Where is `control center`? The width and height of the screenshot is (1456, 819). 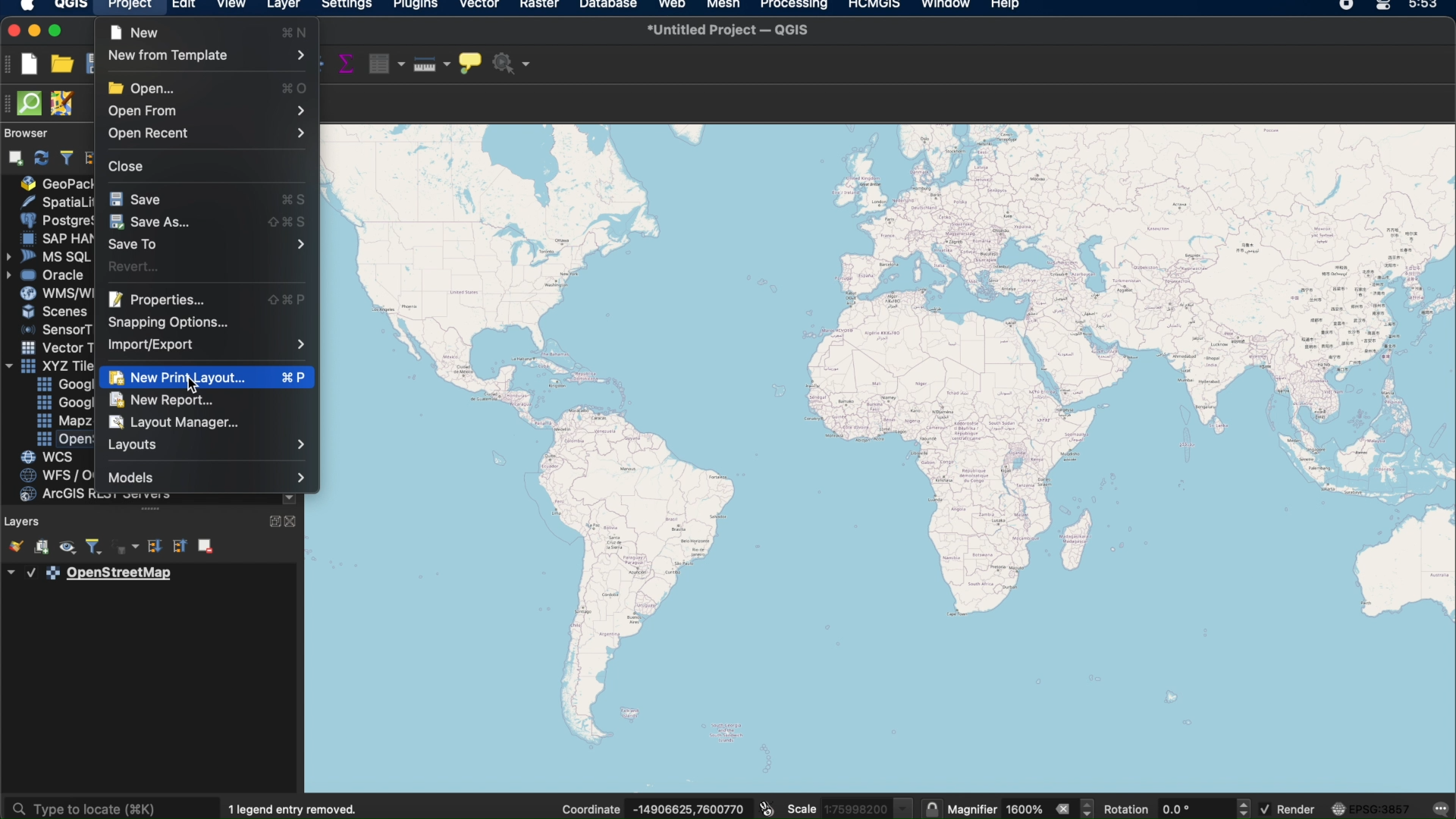 control center is located at coordinates (1384, 8).